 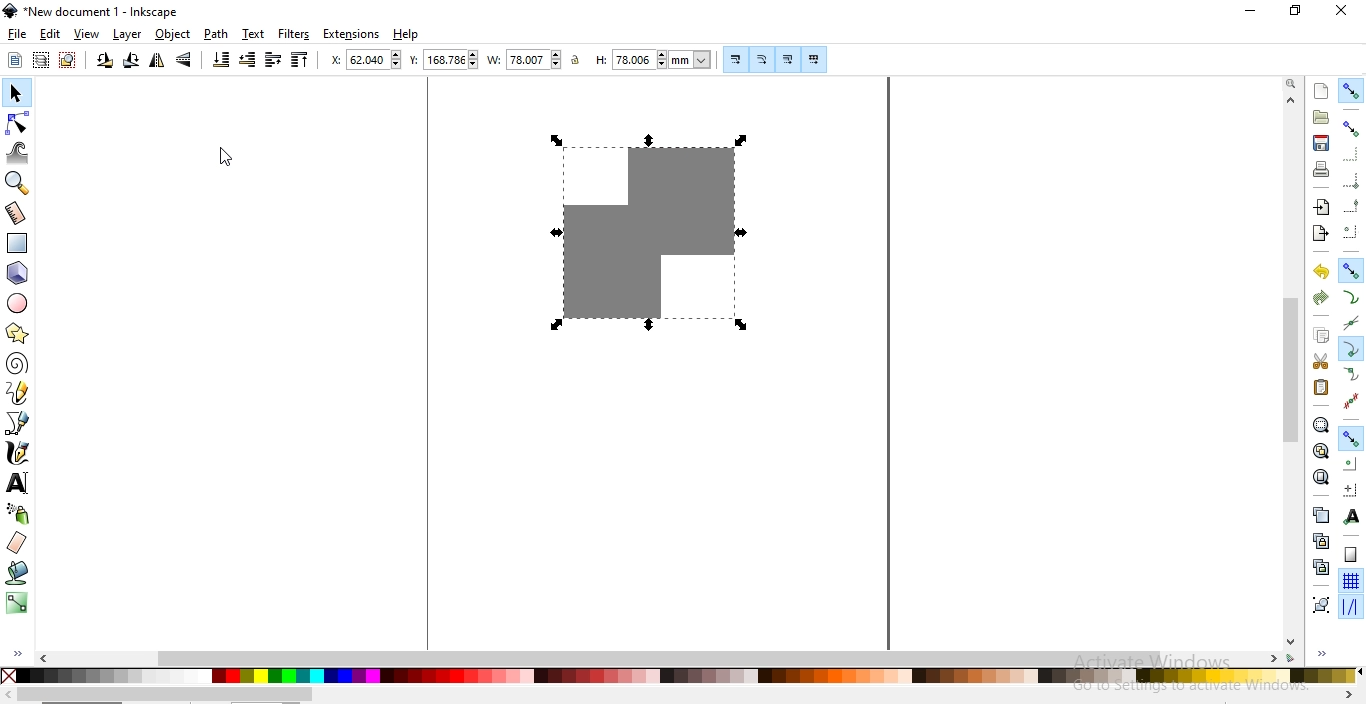 What do you see at coordinates (1320, 208) in the screenshot?
I see `import a bitmap` at bounding box center [1320, 208].